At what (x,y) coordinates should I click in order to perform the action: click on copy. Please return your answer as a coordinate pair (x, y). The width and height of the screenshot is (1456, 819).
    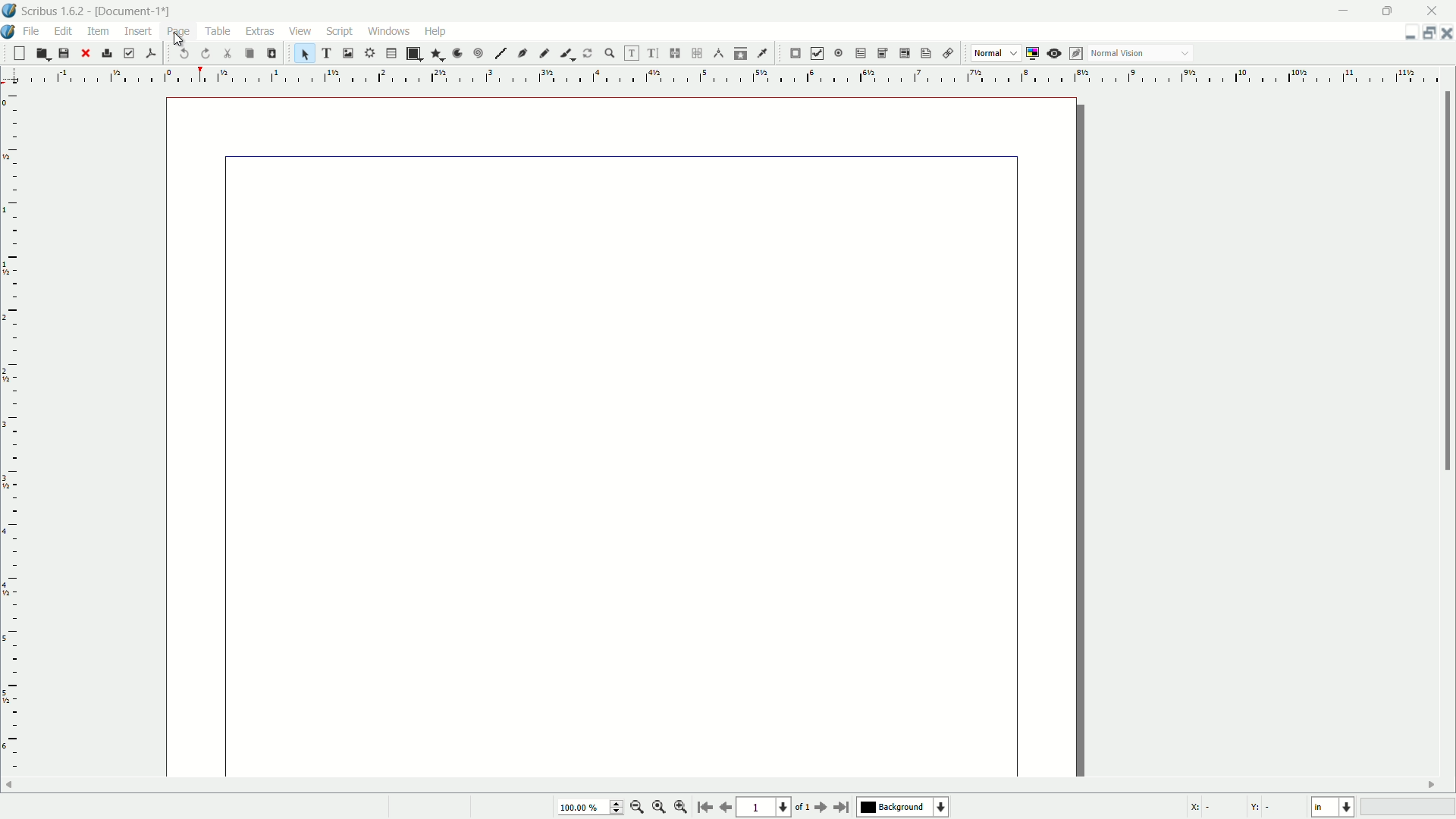
    Looking at the image, I should click on (249, 54).